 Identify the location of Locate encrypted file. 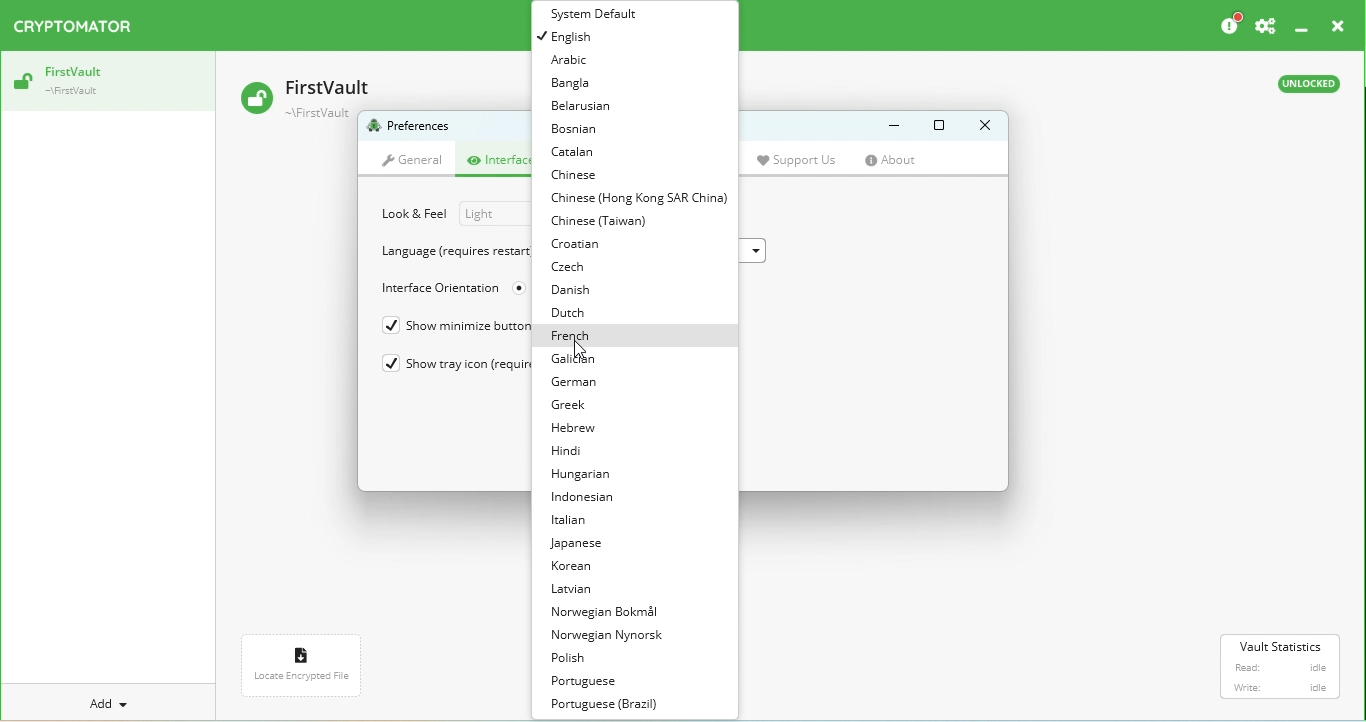
(305, 670).